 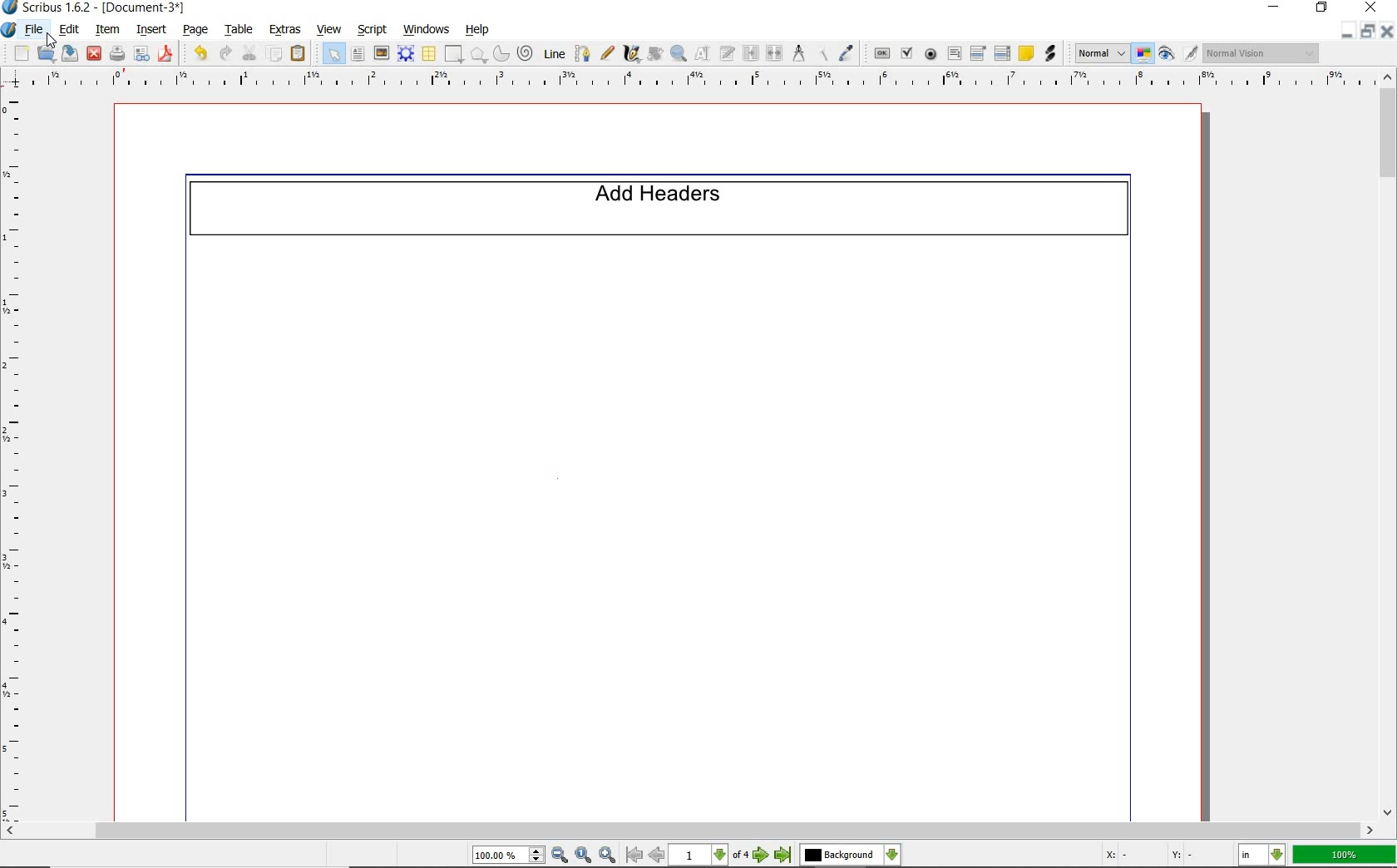 What do you see at coordinates (1178, 52) in the screenshot?
I see `preview mode` at bounding box center [1178, 52].